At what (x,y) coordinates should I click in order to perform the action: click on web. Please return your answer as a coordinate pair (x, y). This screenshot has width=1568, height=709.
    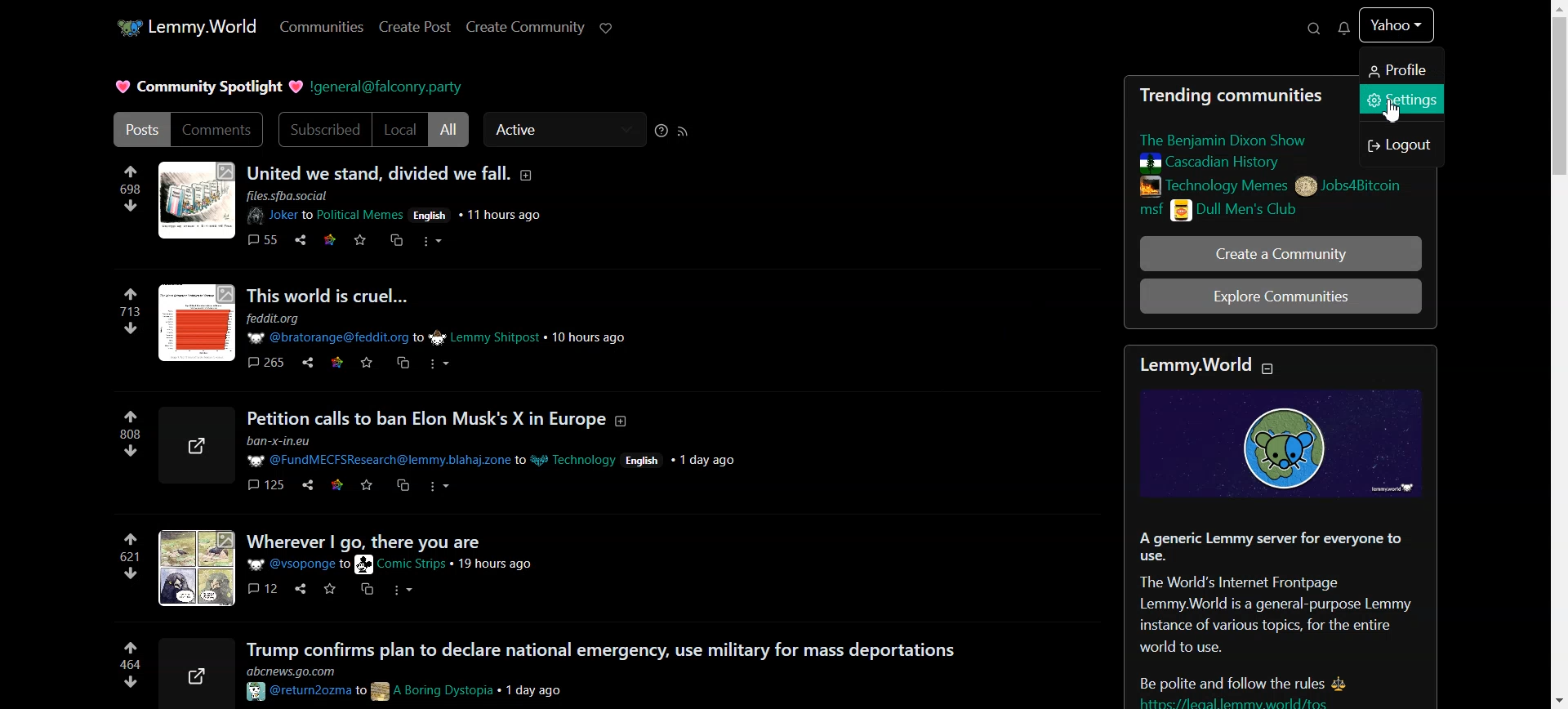
    Looking at the image, I should click on (337, 494).